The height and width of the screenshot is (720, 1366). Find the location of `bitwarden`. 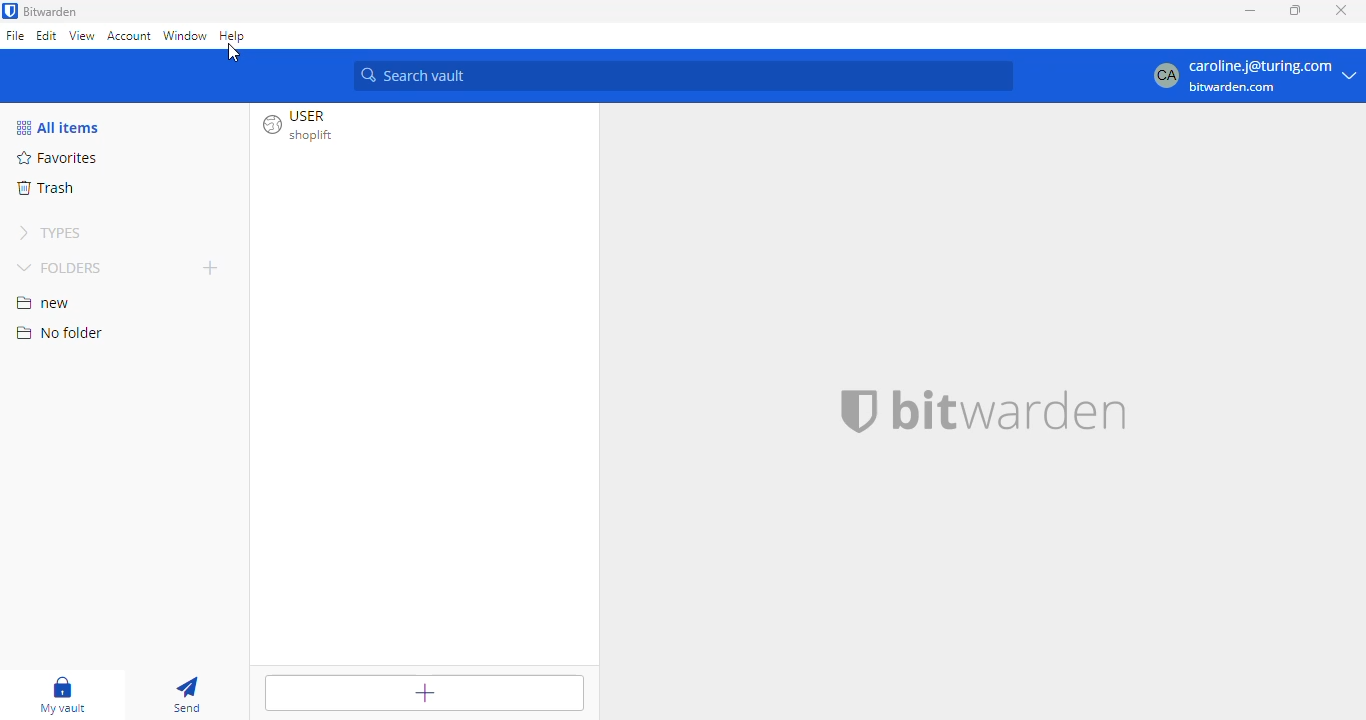

bitwarden is located at coordinates (1007, 412).